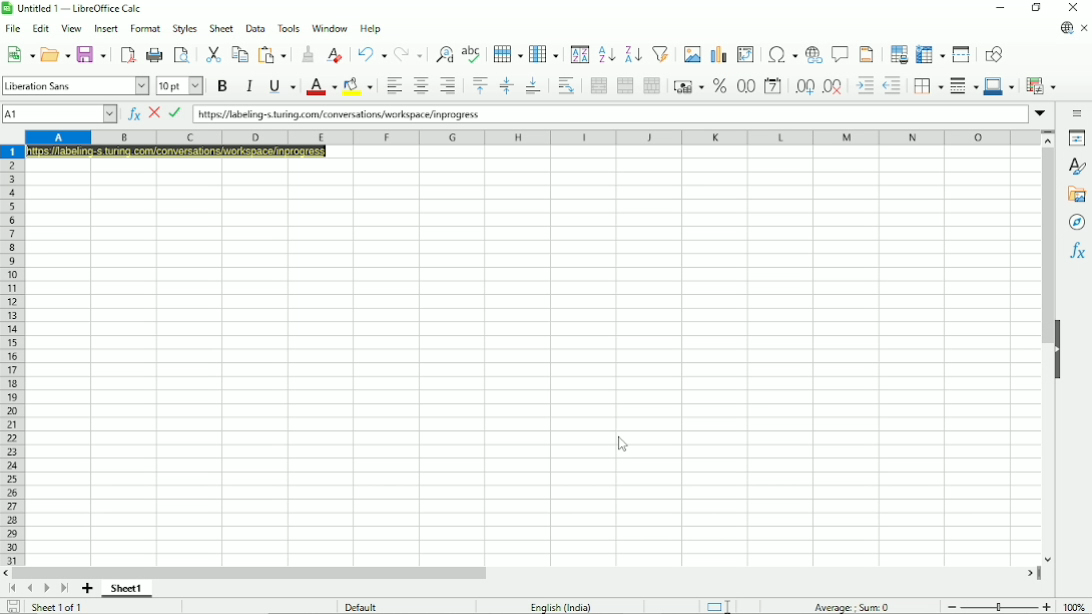 The image size is (1092, 614). I want to click on Sheet 1 of 1, so click(55, 607).